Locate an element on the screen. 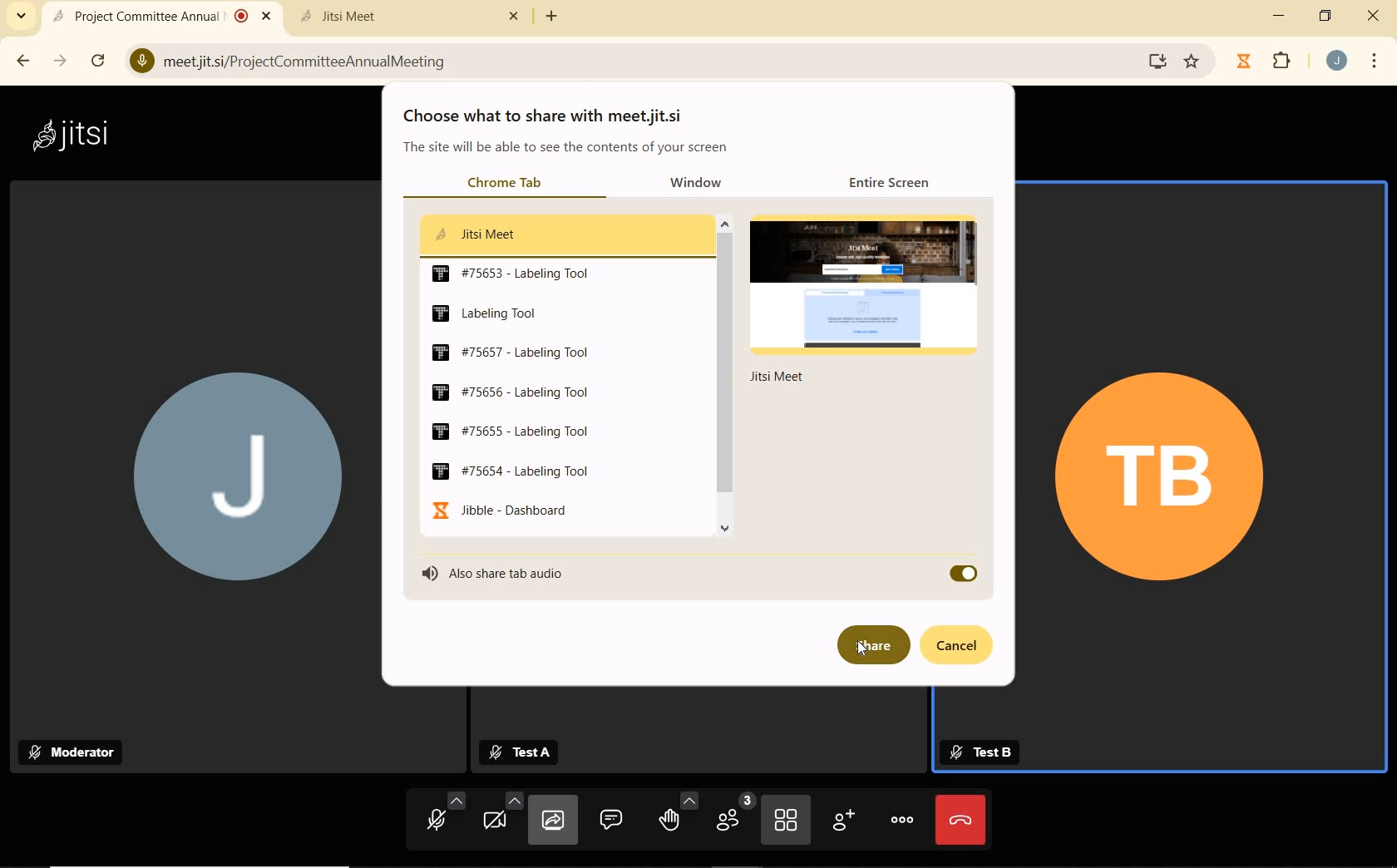  TOGGLE TIE VIEW is located at coordinates (787, 821).